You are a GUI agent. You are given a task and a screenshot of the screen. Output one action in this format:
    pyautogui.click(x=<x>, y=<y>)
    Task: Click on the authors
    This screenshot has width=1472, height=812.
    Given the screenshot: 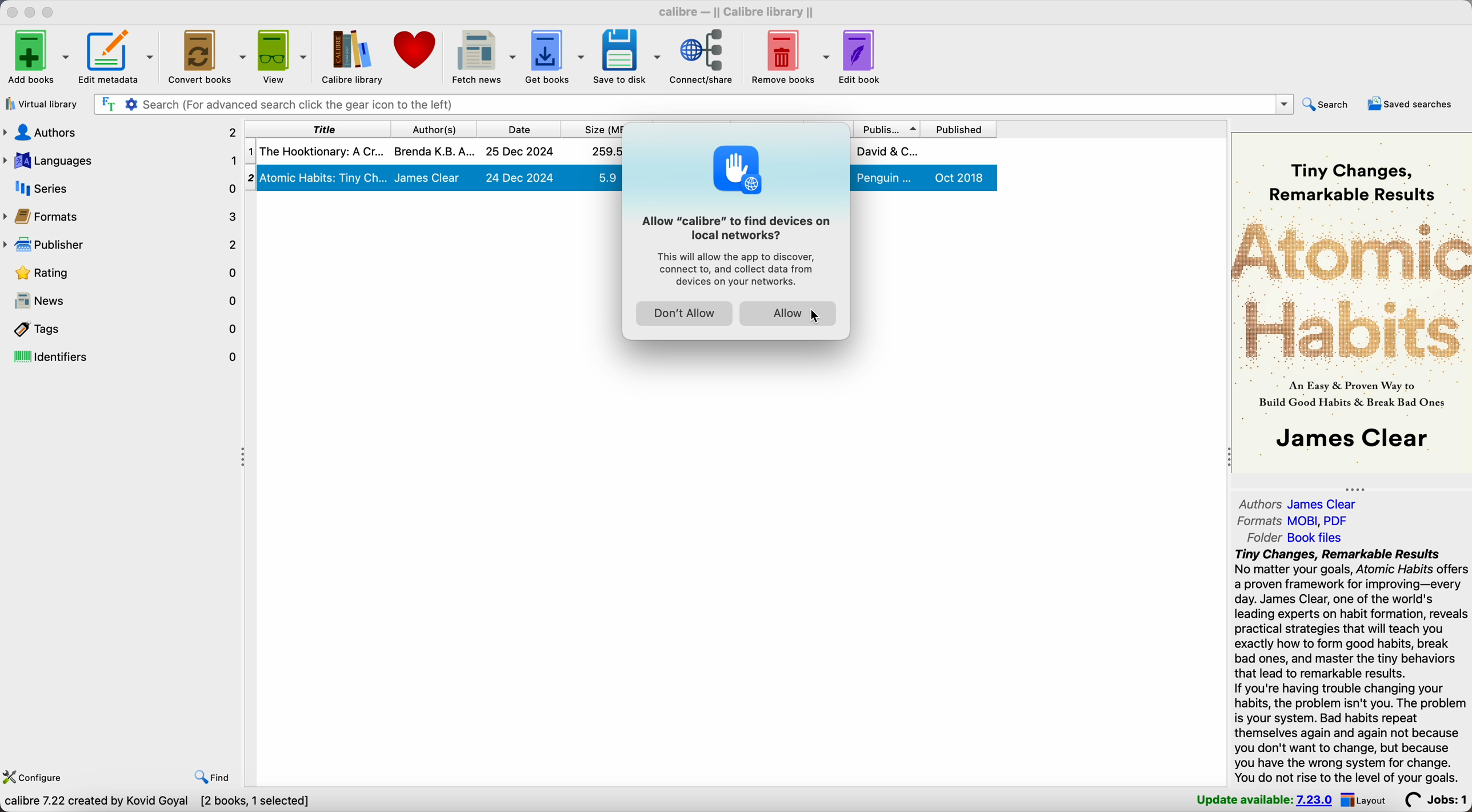 What is the action you would take?
    pyautogui.click(x=1301, y=503)
    